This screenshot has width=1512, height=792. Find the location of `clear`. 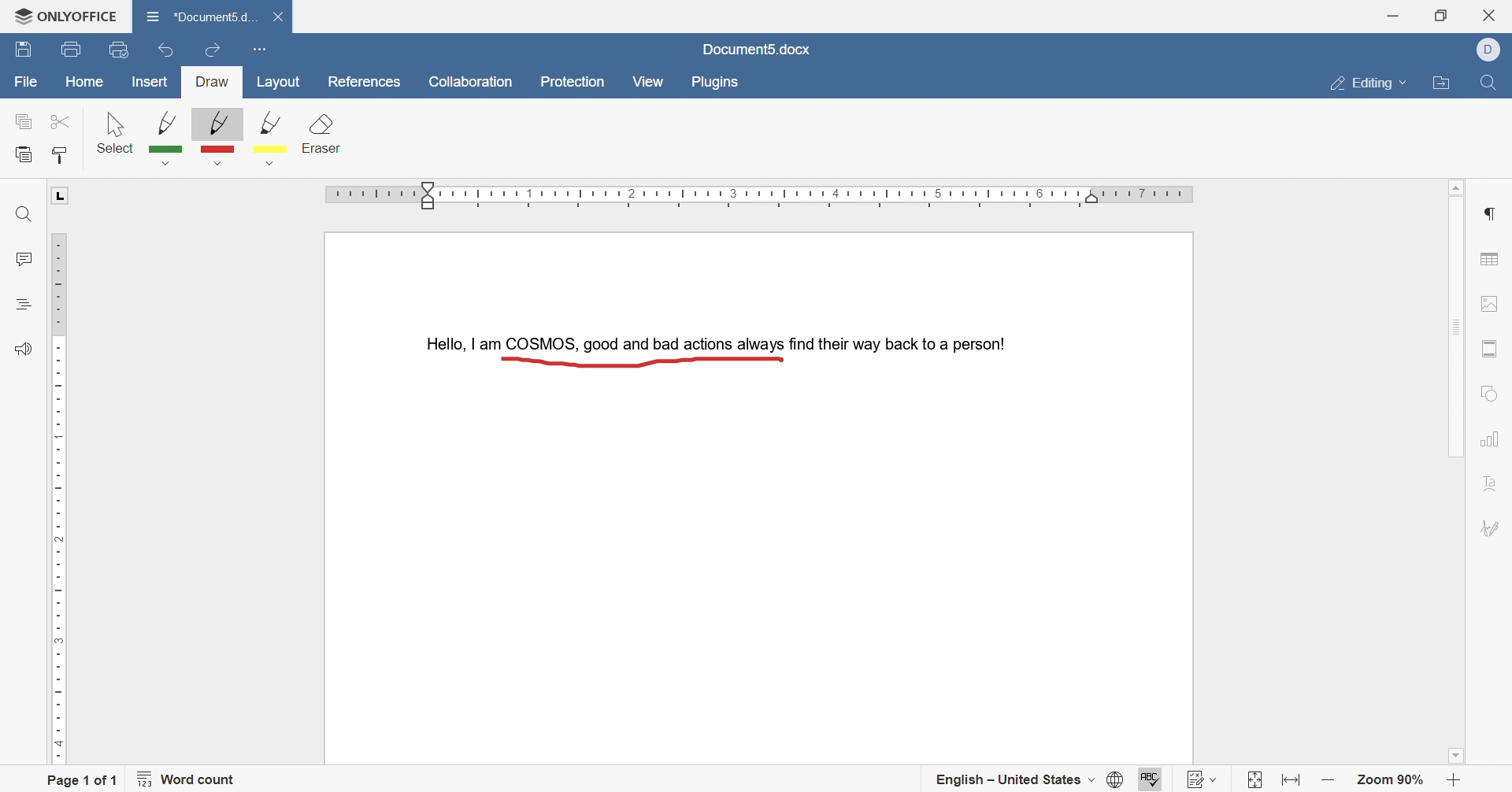

clear is located at coordinates (324, 136).